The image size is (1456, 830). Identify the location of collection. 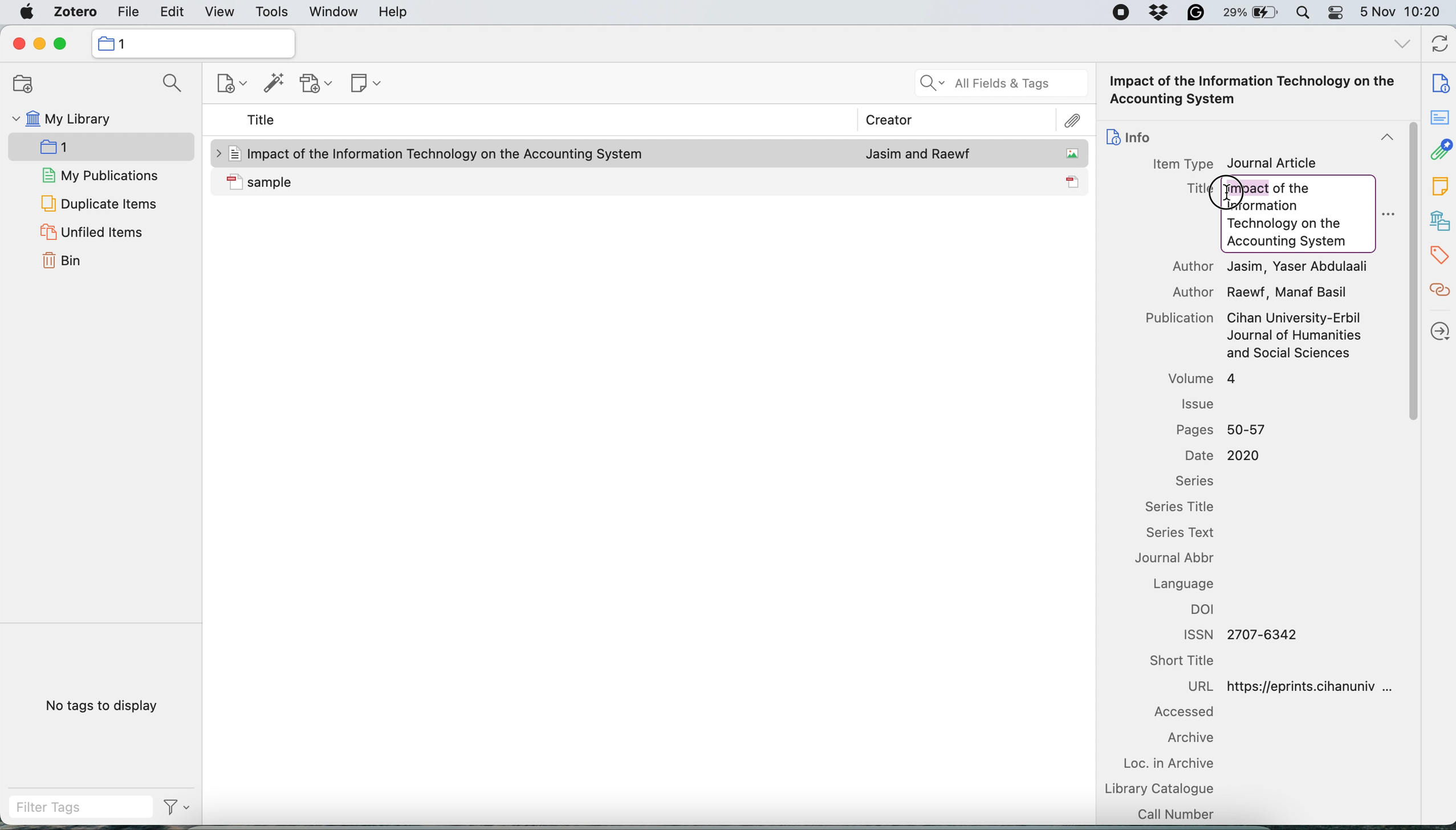
(125, 44).